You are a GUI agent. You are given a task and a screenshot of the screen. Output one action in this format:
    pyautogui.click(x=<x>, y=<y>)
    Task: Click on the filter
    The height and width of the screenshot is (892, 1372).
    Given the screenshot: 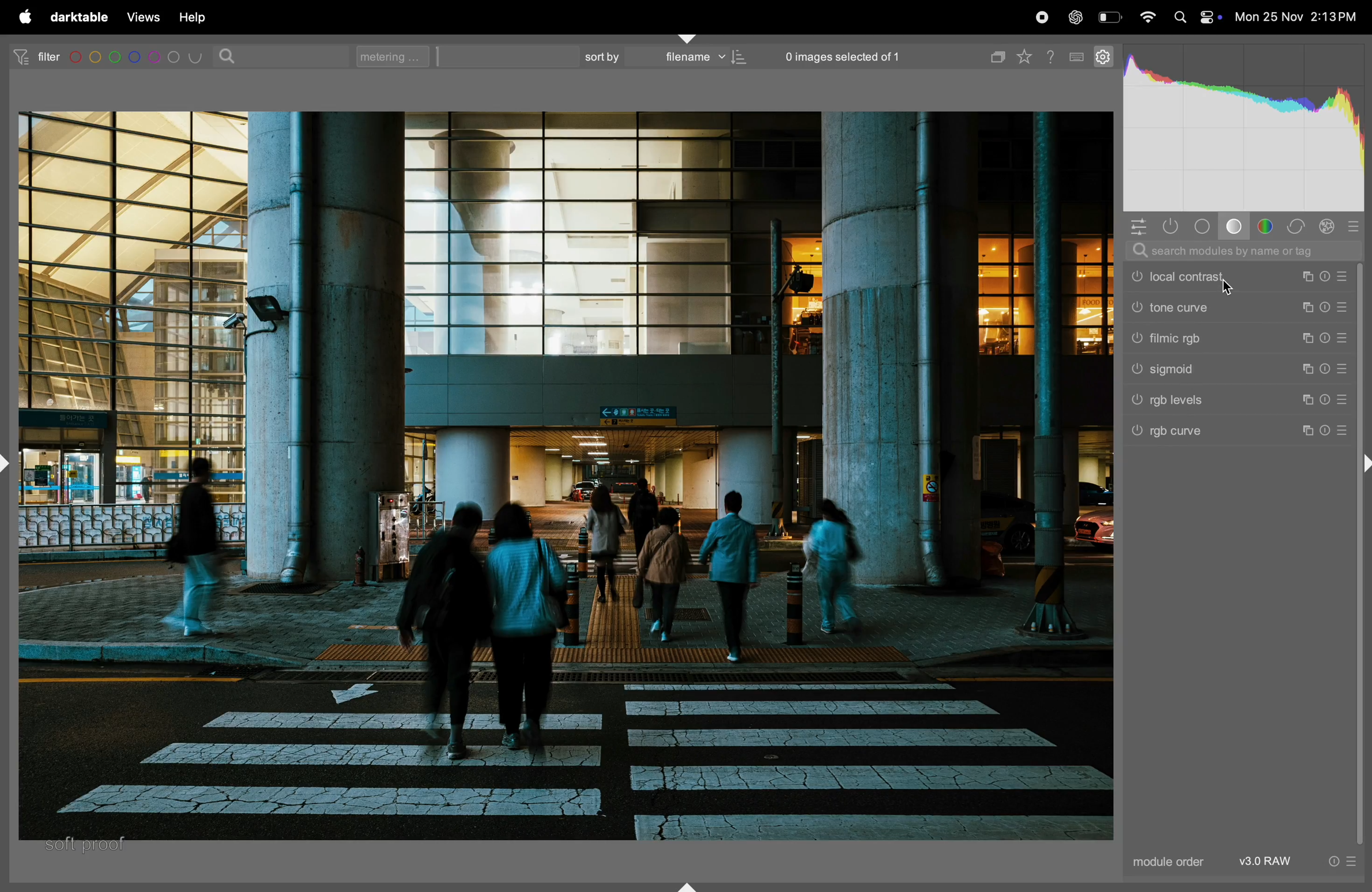 What is the action you would take?
    pyautogui.click(x=32, y=56)
    